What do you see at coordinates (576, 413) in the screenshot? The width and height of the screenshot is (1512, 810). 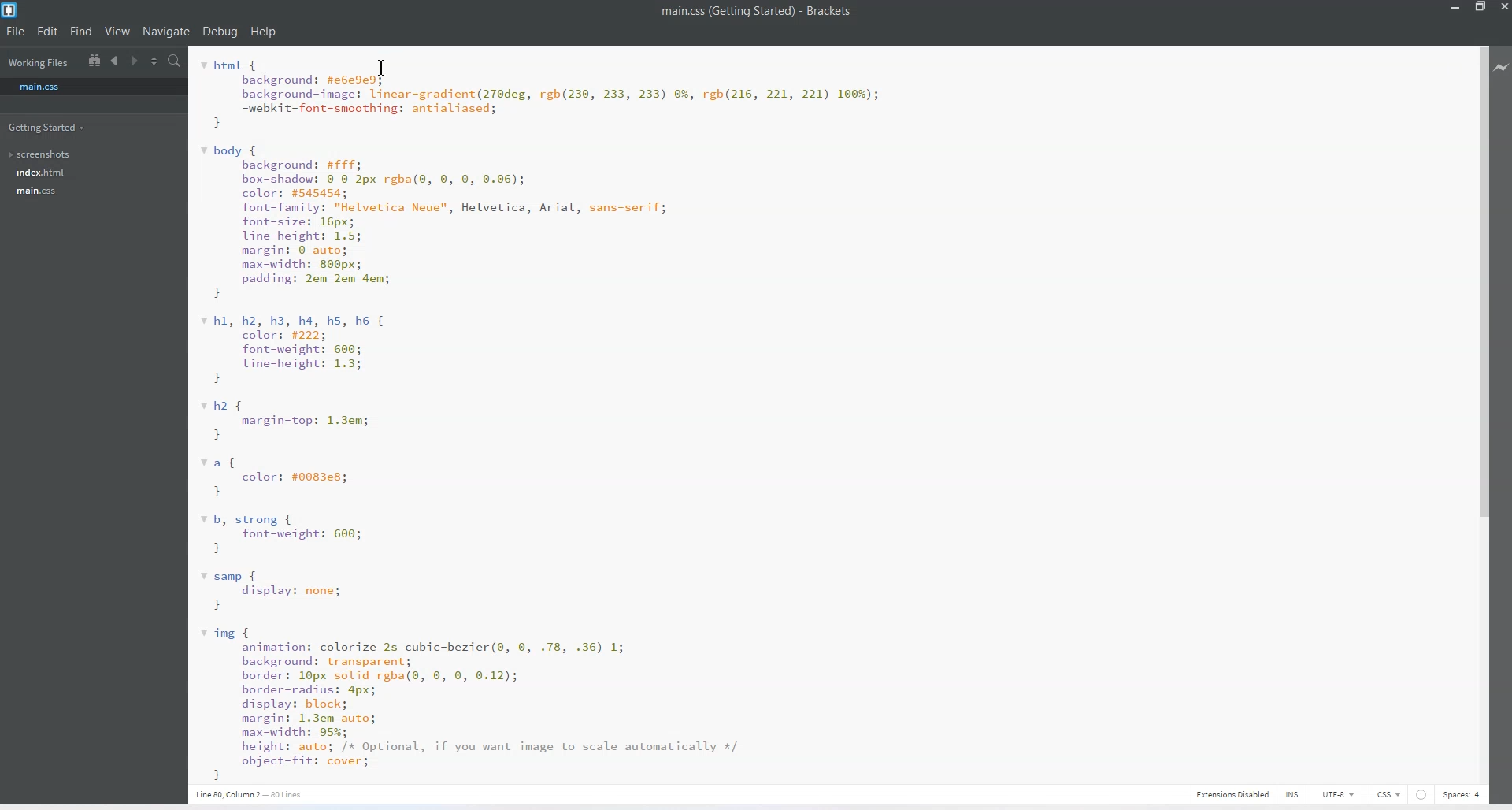 I see `Text 2` at bounding box center [576, 413].